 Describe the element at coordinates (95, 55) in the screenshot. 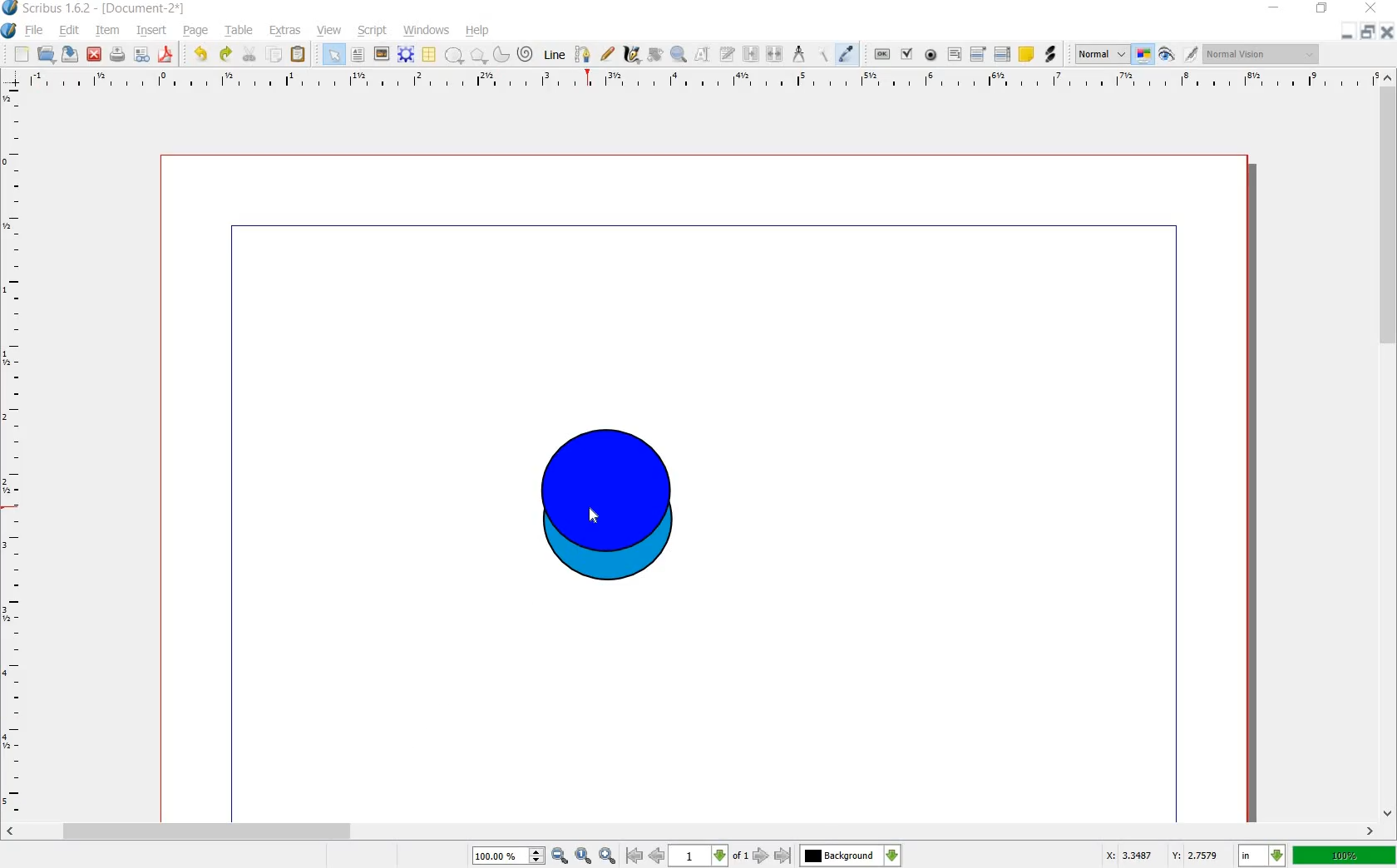

I see `close` at that location.